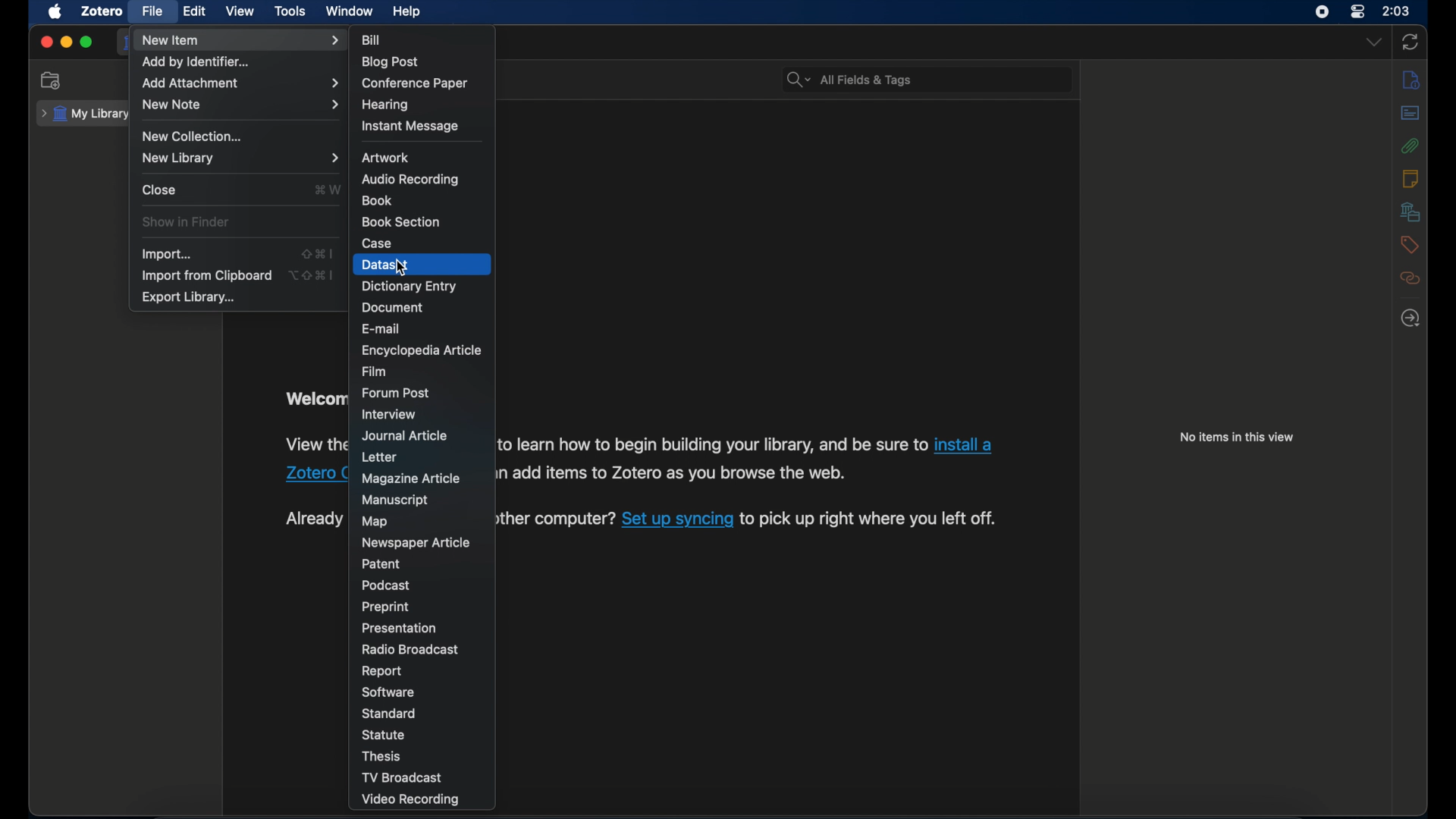  I want to click on book section, so click(401, 222).